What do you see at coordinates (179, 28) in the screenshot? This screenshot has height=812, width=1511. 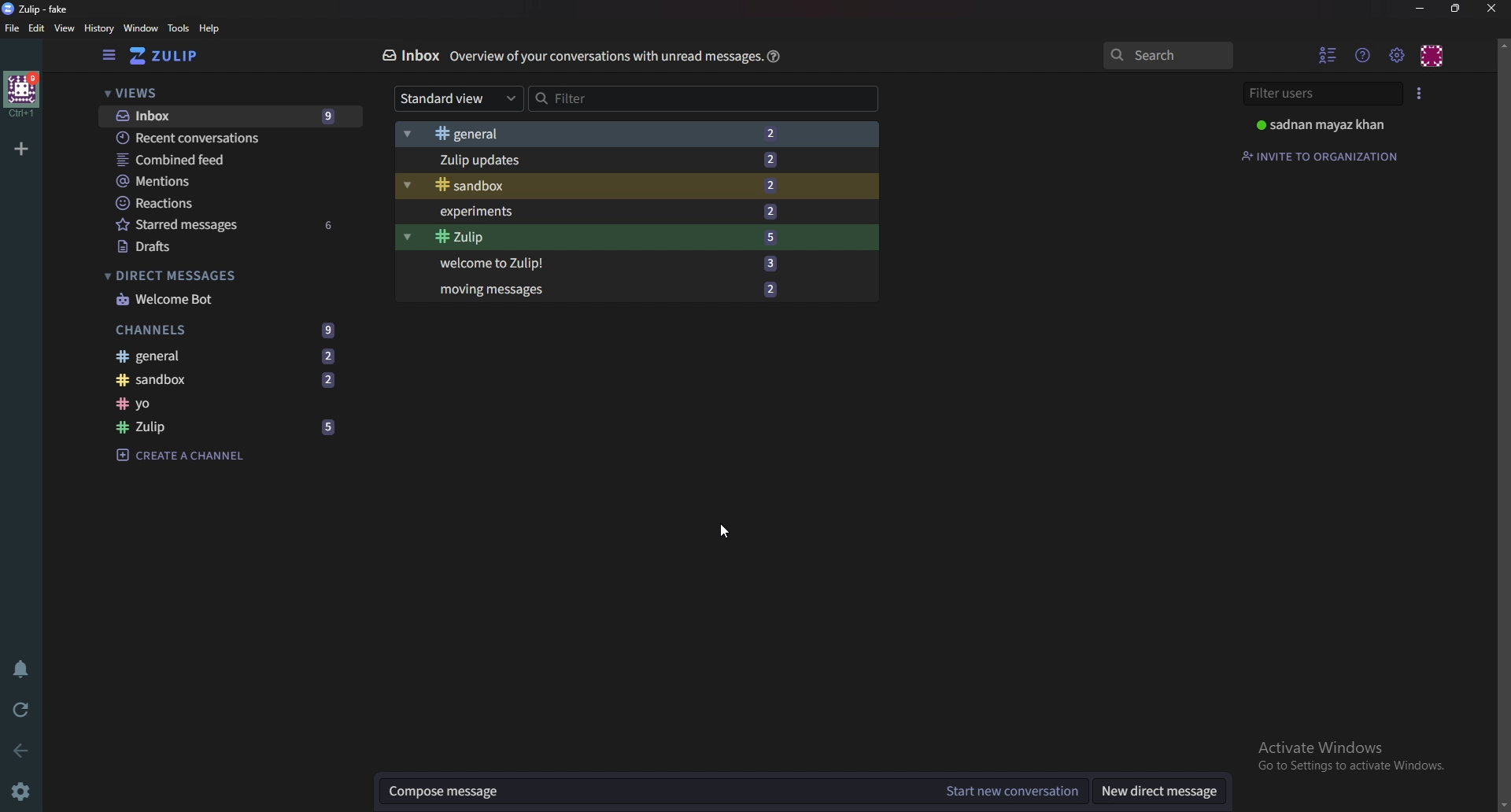 I see `Tools` at bounding box center [179, 28].